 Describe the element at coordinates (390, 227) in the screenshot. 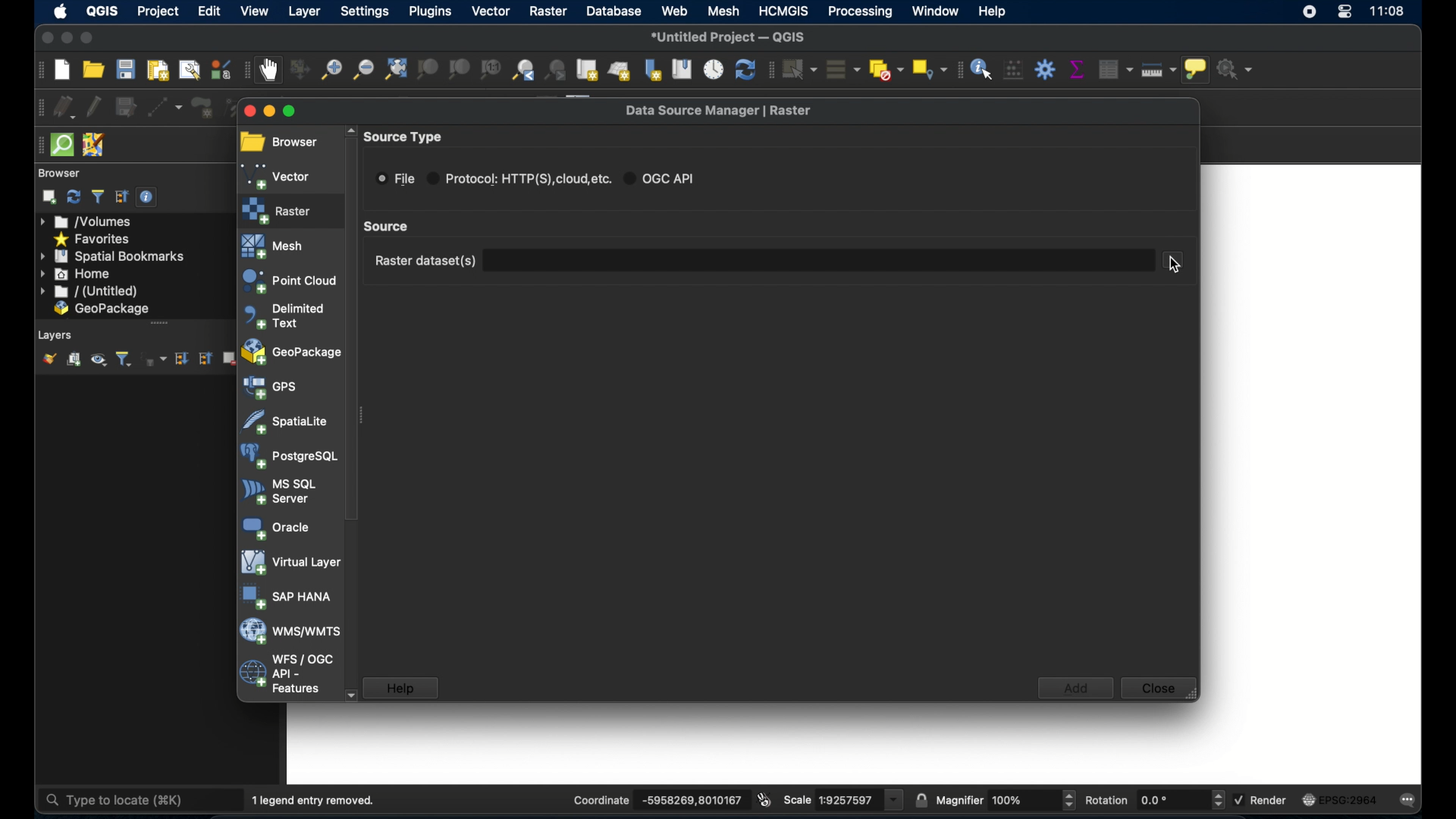

I see `scroll box` at that location.